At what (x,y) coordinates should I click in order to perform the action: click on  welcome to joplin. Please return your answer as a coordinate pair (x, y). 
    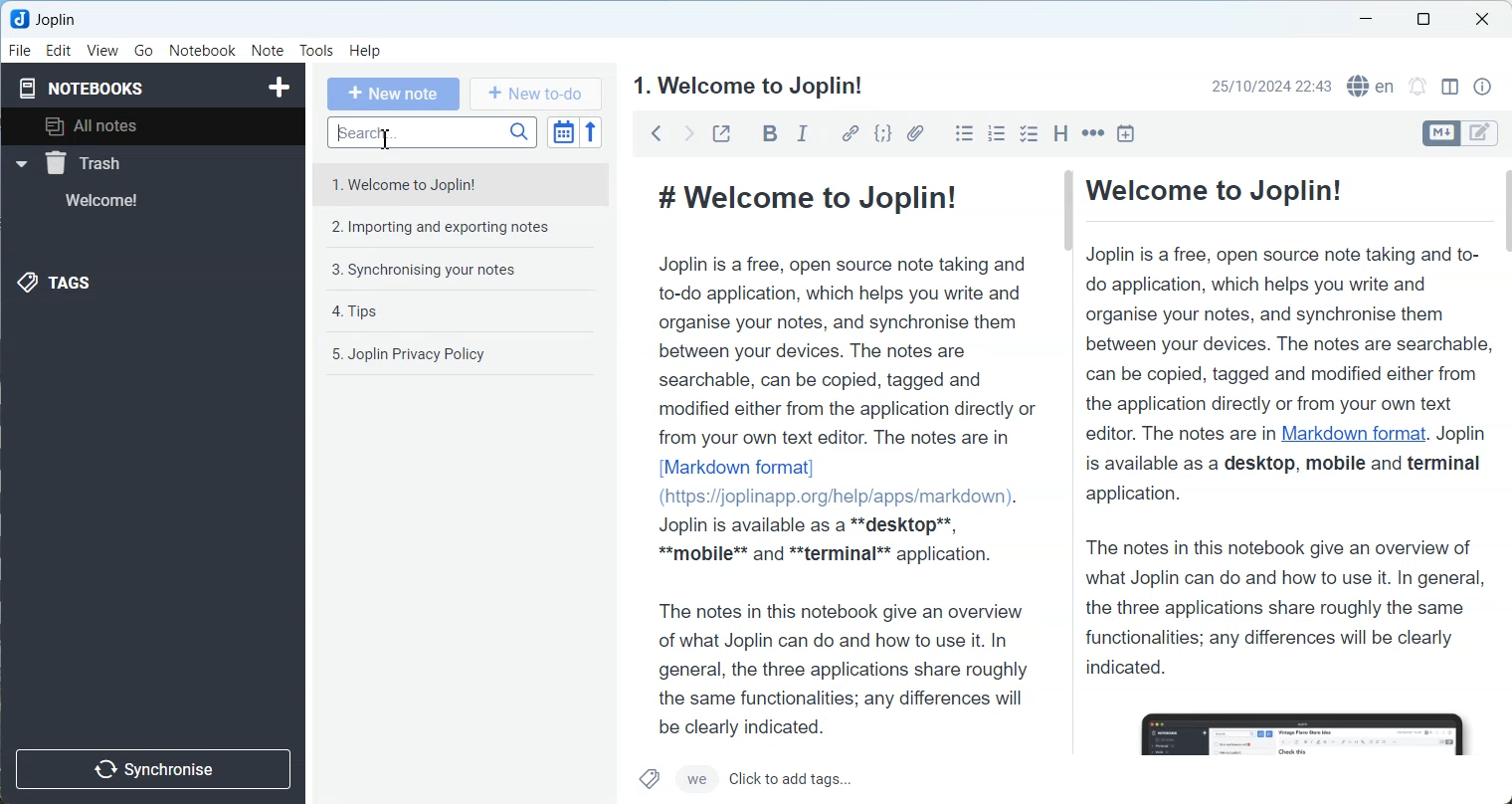
    Looking at the image, I should click on (749, 86).